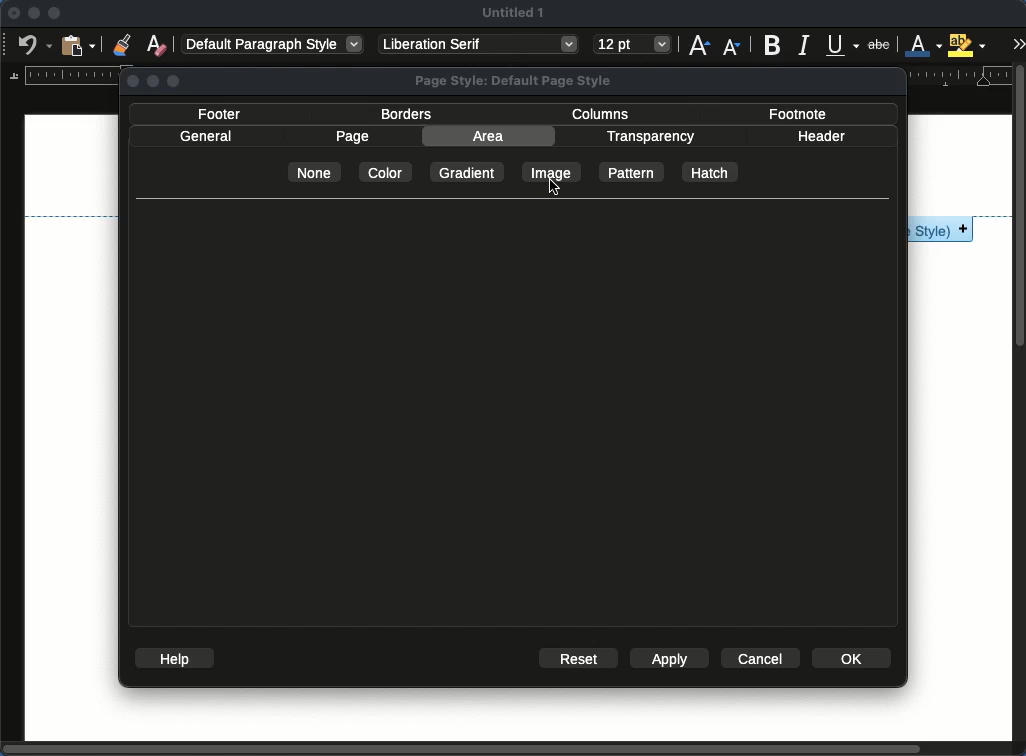  What do you see at coordinates (633, 43) in the screenshot?
I see `12 pt - size` at bounding box center [633, 43].